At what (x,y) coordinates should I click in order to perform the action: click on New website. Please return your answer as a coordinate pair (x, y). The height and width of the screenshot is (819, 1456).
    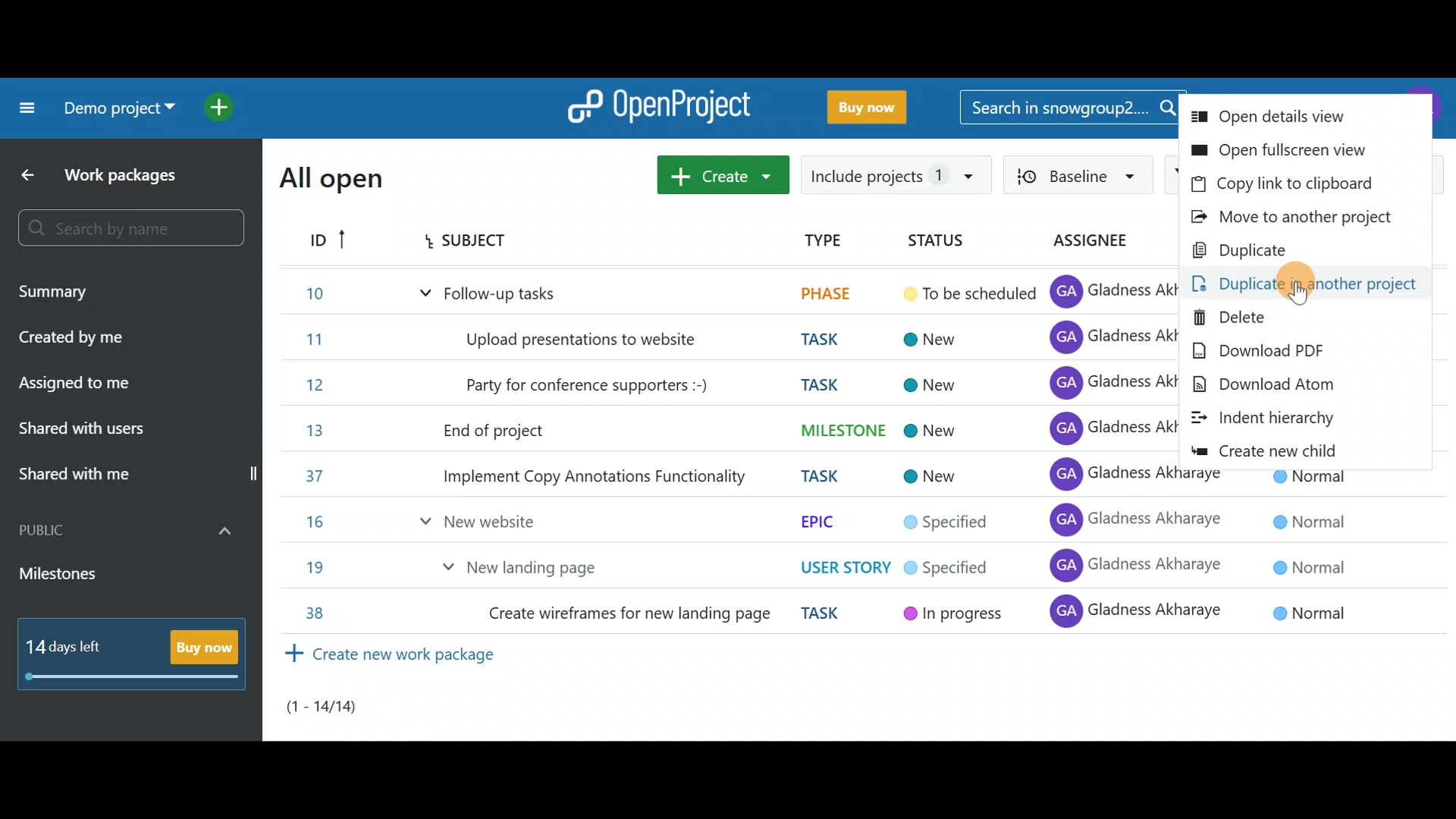
    Looking at the image, I should click on (489, 521).